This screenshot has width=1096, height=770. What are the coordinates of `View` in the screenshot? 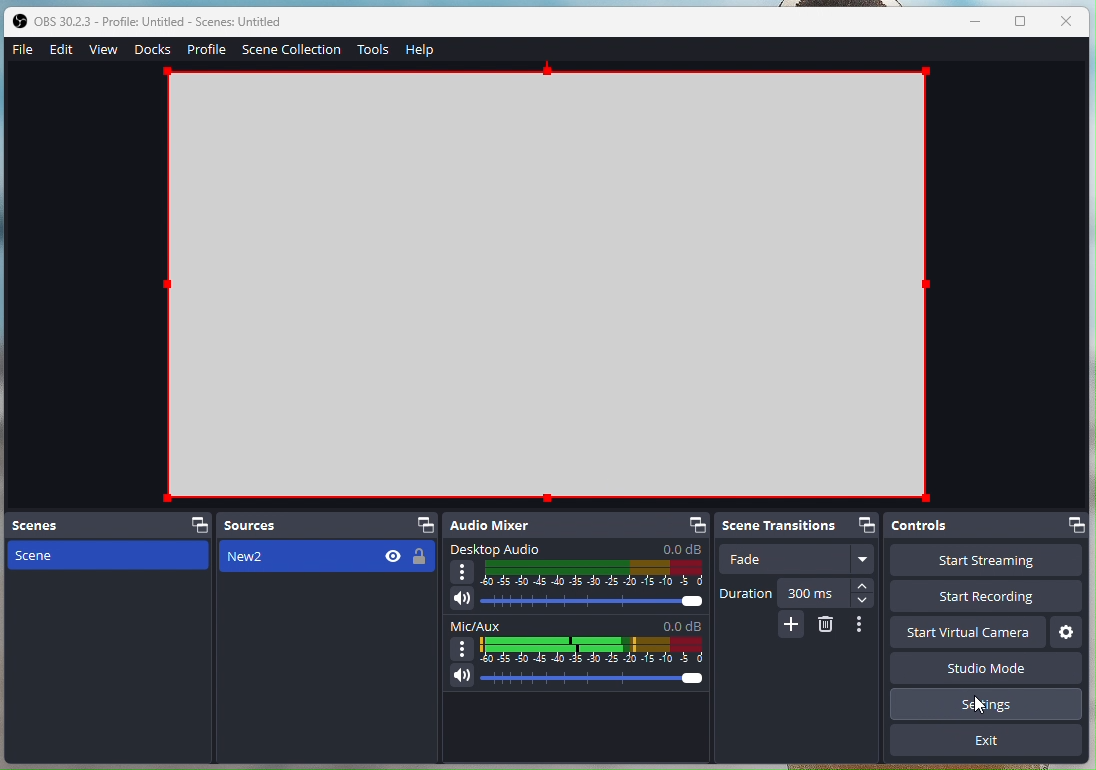 It's located at (105, 48).